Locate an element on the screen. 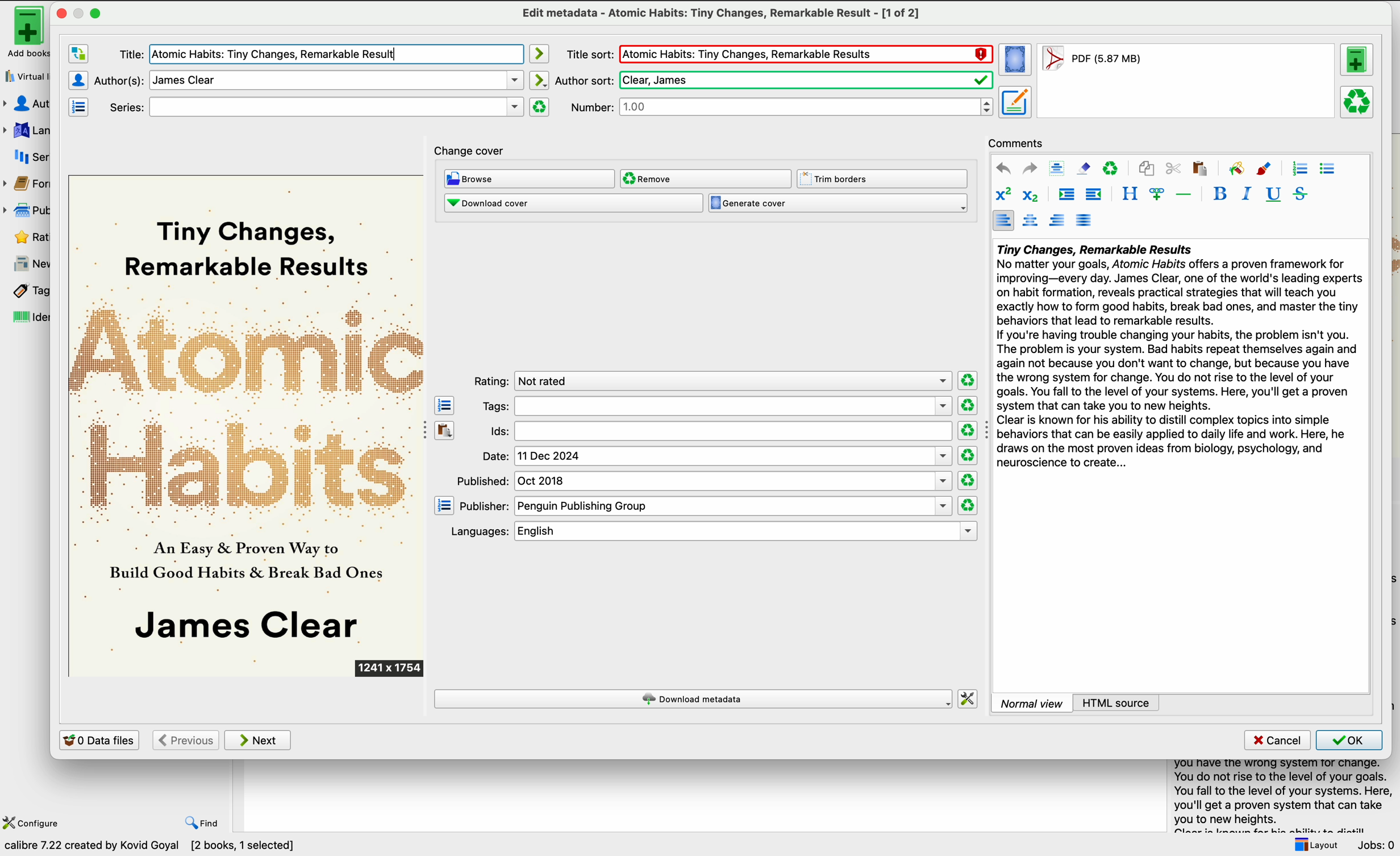 The width and height of the screenshot is (1400, 856). style the selected text block is located at coordinates (1129, 194).